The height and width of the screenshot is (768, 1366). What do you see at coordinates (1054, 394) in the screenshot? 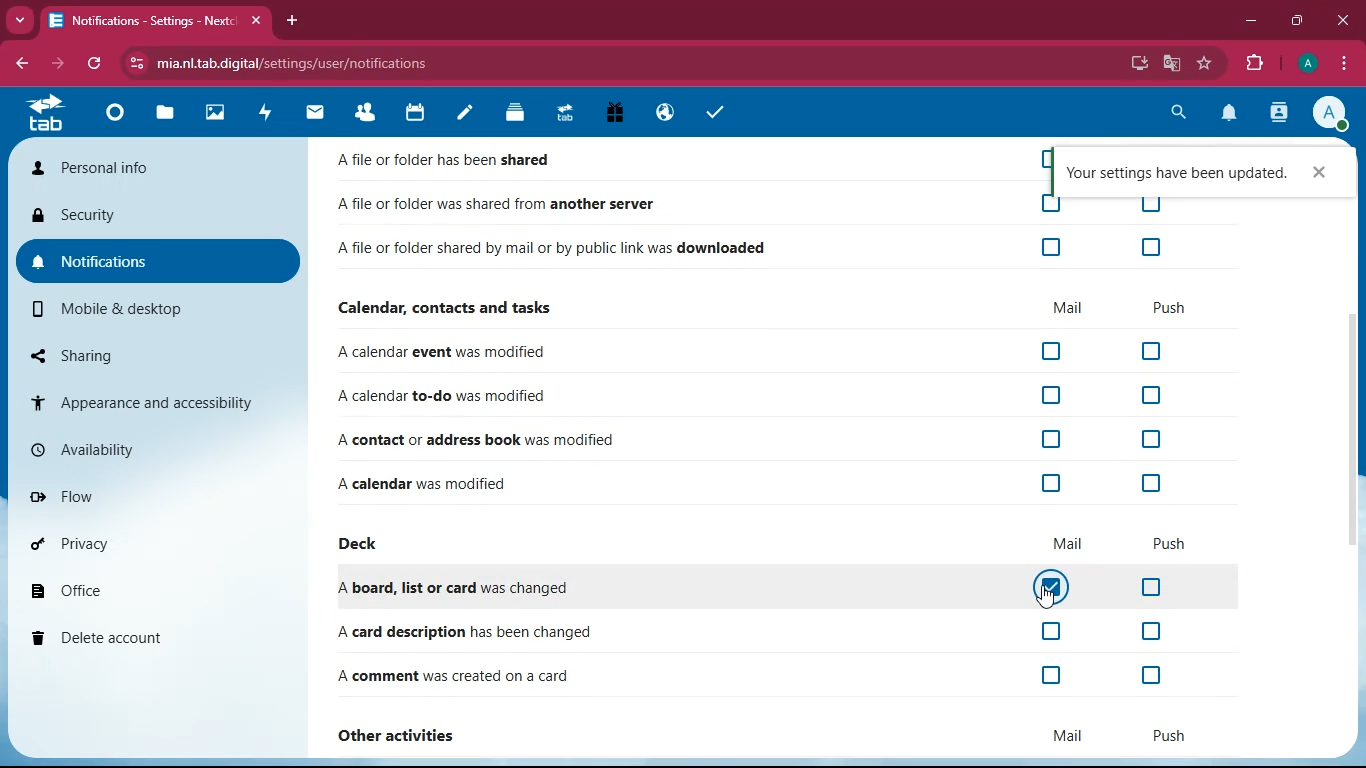
I see `off` at bounding box center [1054, 394].